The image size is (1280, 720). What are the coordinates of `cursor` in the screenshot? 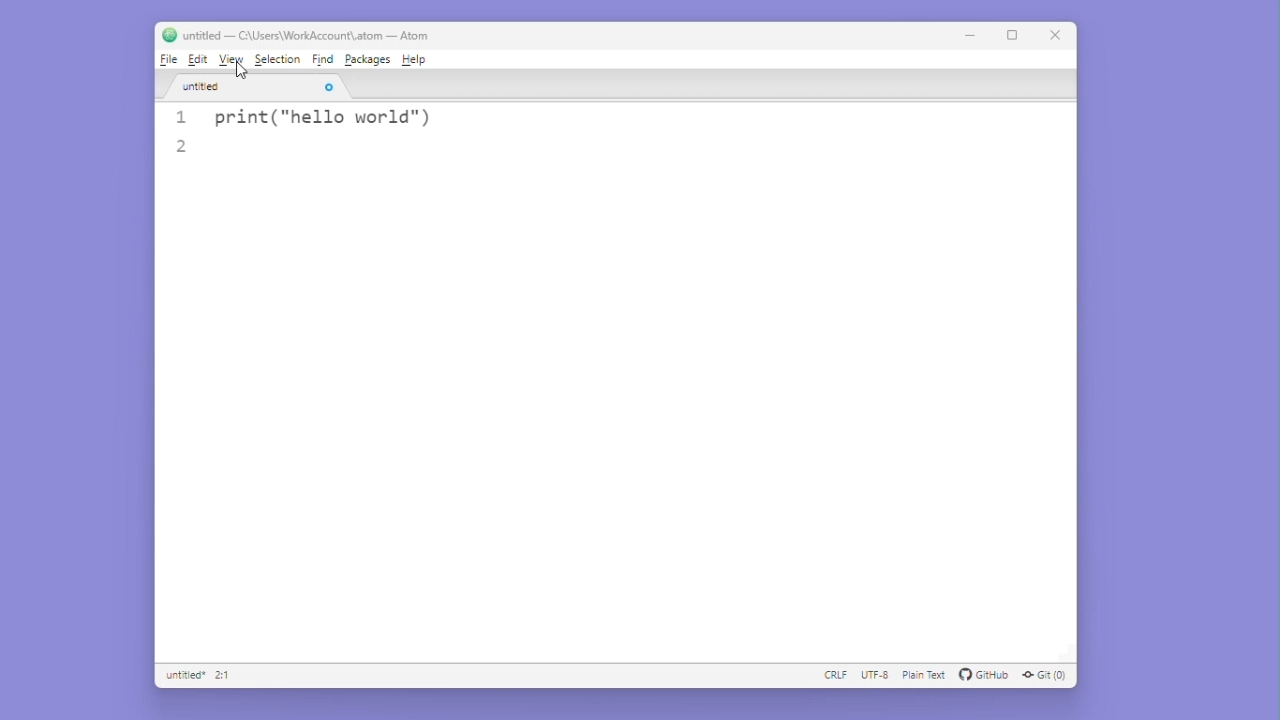 It's located at (234, 68).